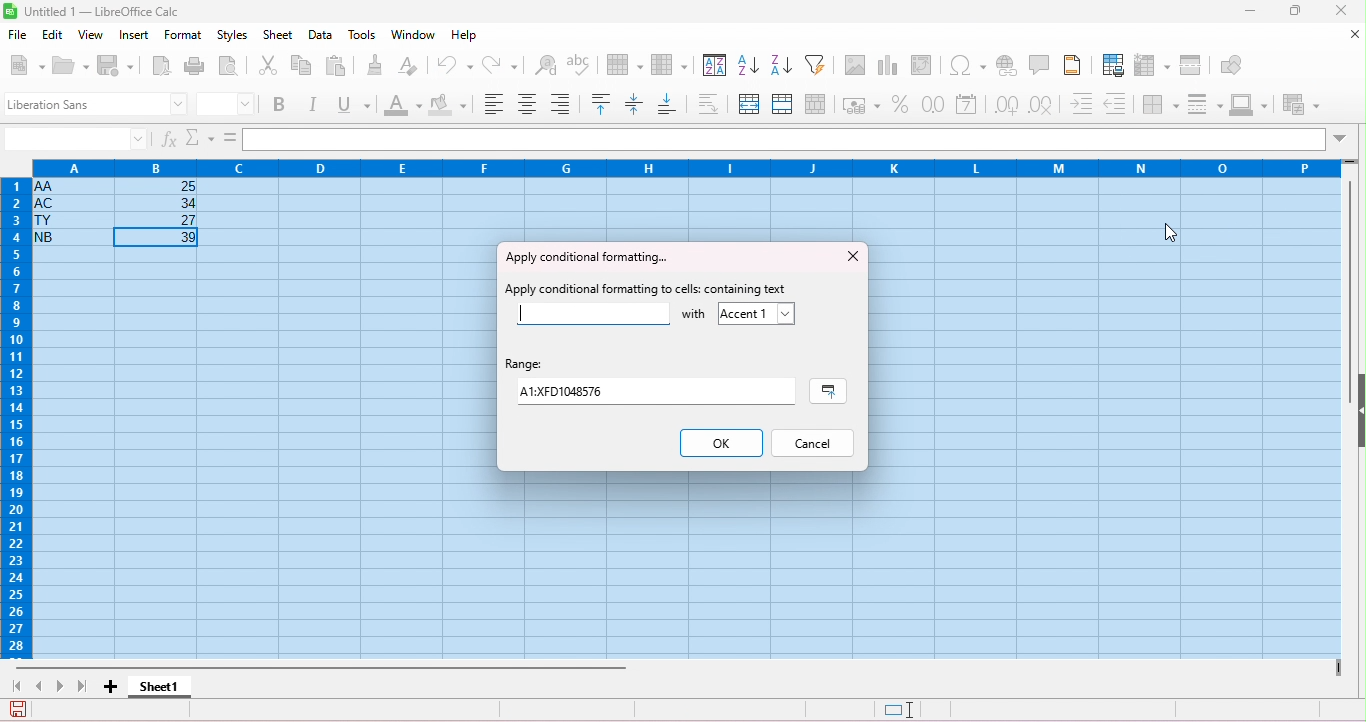 This screenshot has width=1366, height=722. What do you see at coordinates (668, 104) in the screenshot?
I see `align bottom` at bounding box center [668, 104].